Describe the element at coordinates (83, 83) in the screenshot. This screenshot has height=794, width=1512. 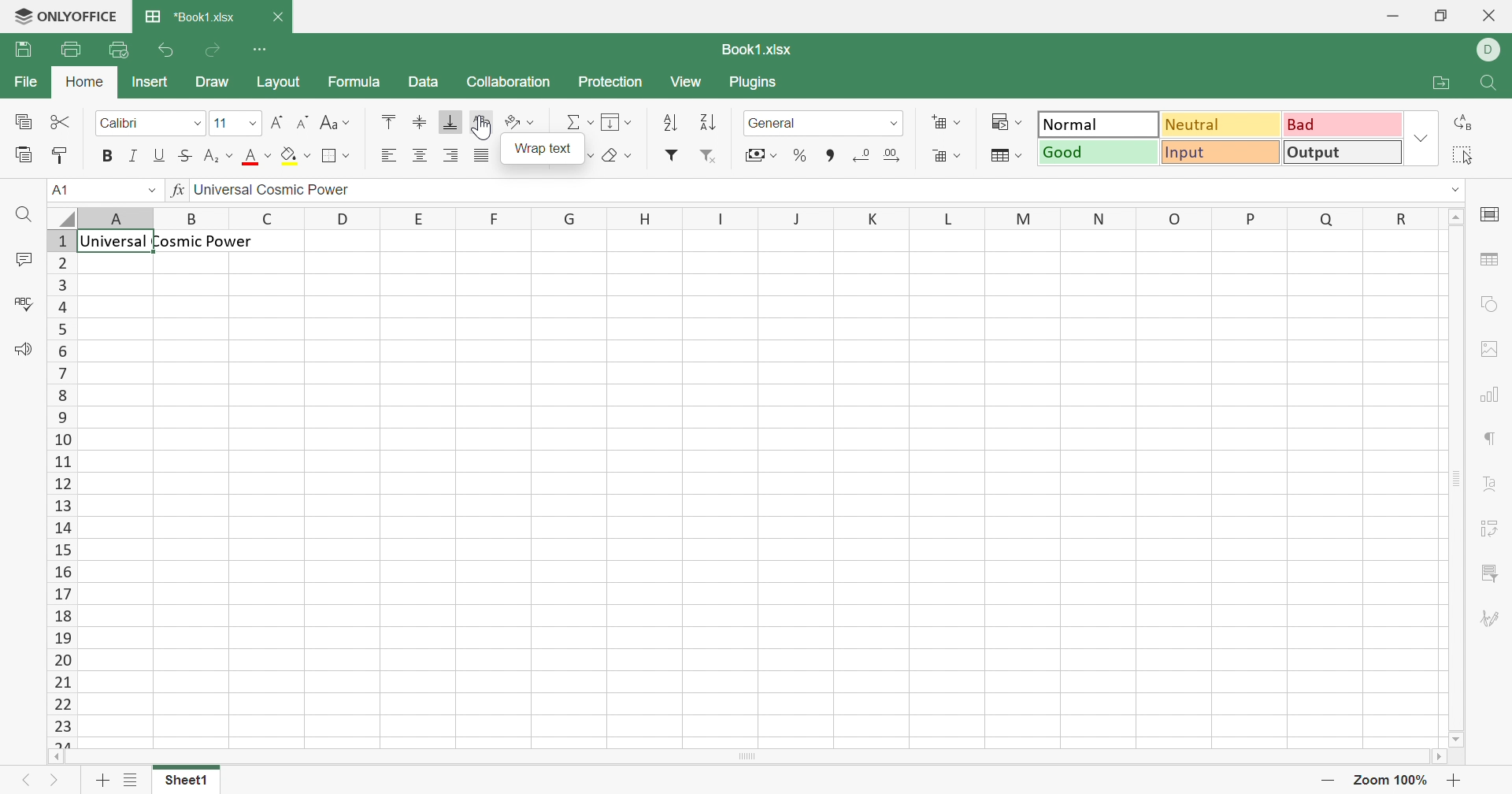
I see `Home` at that location.